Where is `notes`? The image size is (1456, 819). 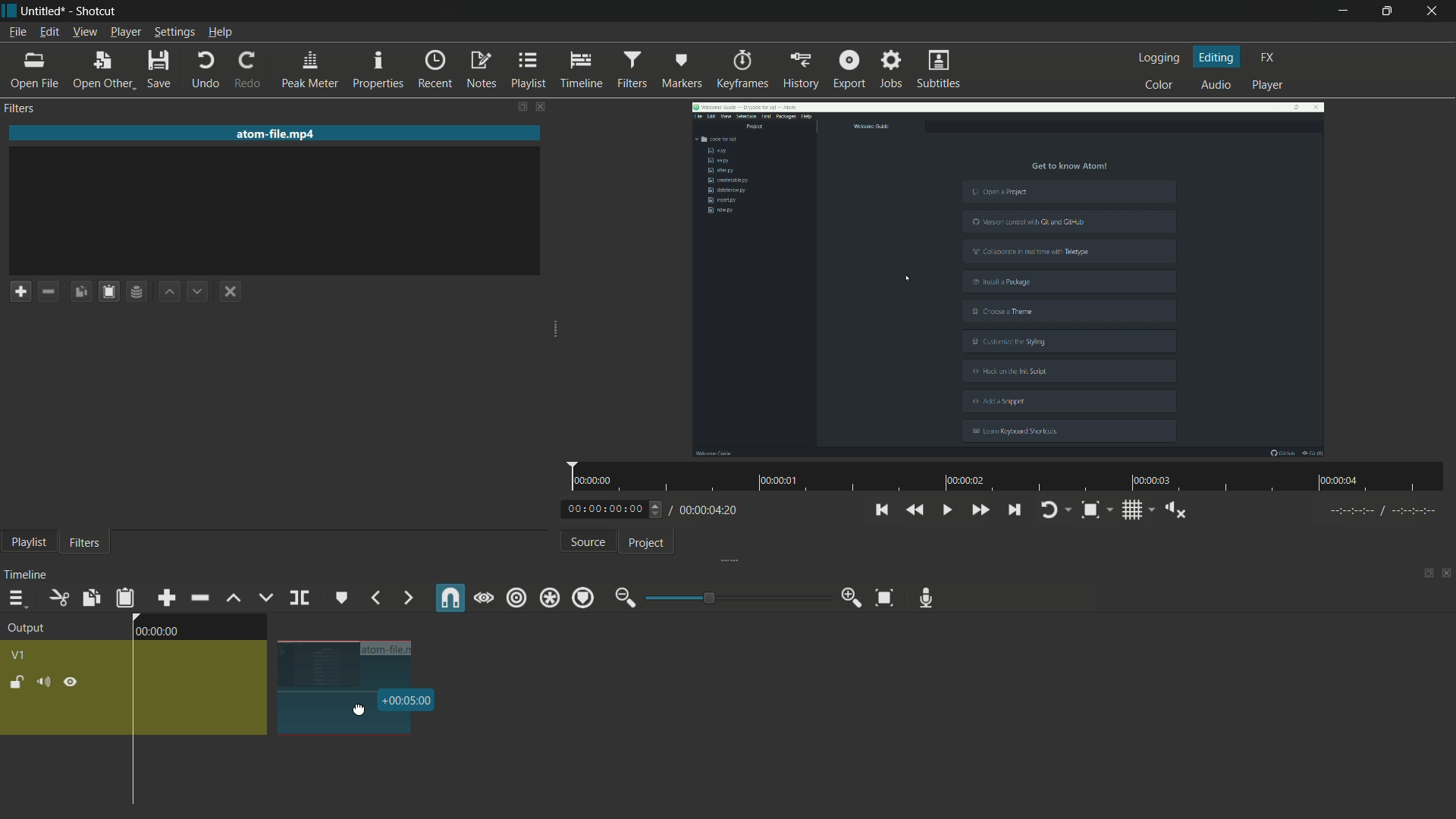 notes is located at coordinates (479, 68).